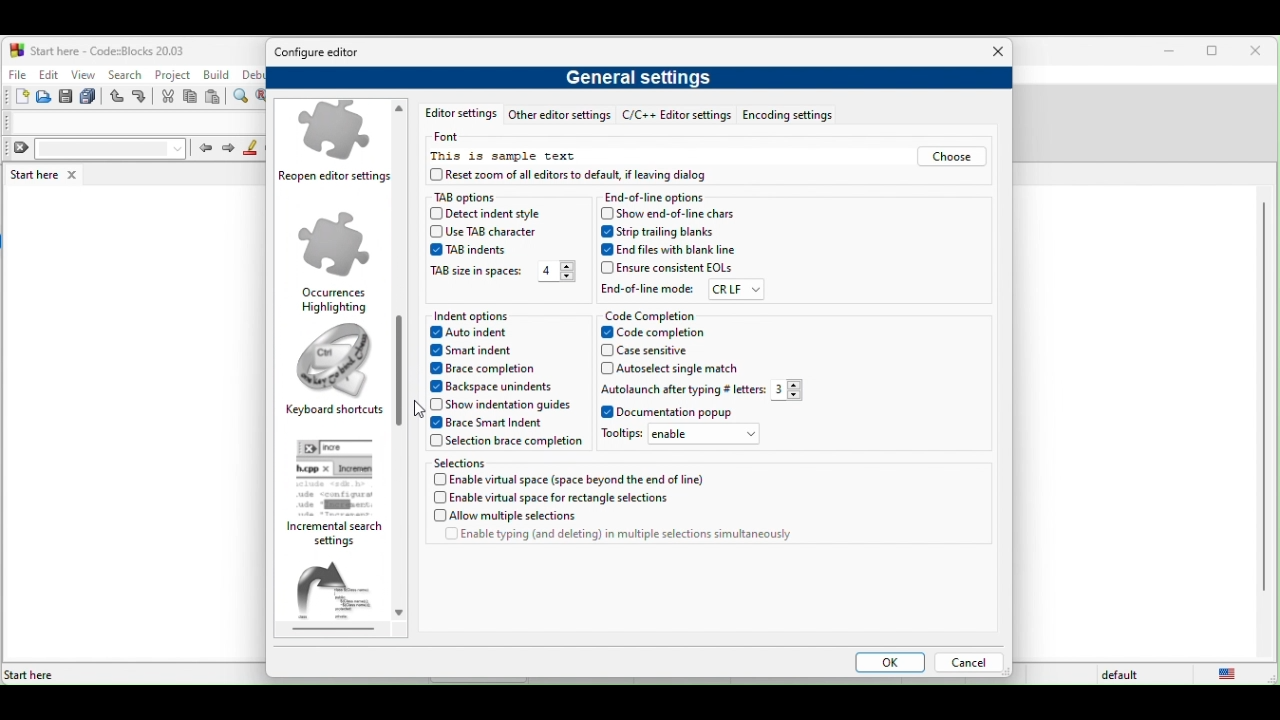 This screenshot has width=1280, height=720. Describe the element at coordinates (45, 97) in the screenshot. I see `open` at that location.